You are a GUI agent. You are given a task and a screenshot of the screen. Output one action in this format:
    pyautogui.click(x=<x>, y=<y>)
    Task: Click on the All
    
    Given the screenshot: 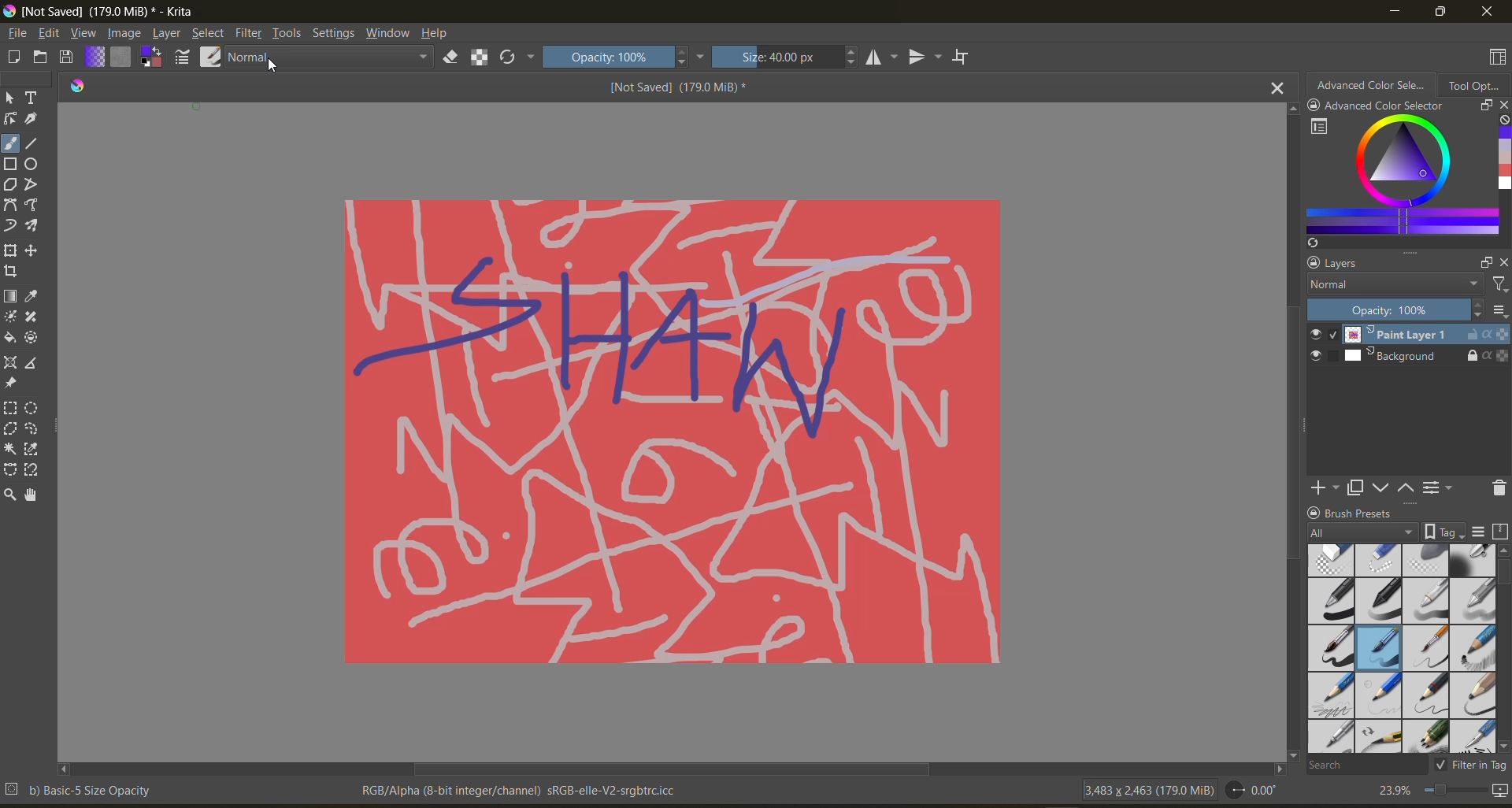 What is the action you would take?
    pyautogui.click(x=1363, y=532)
    